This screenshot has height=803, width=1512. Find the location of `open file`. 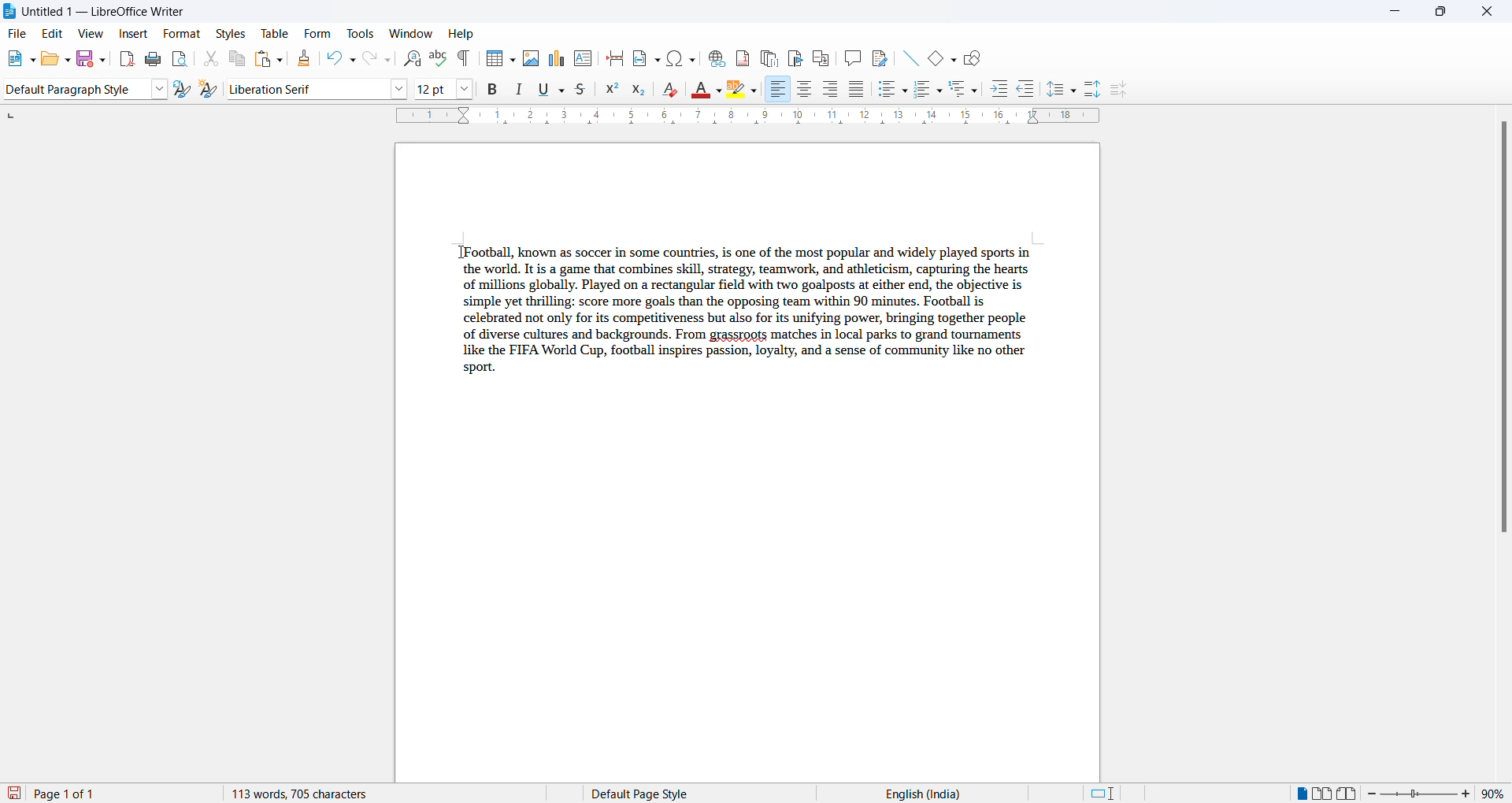

open file is located at coordinates (46, 60).